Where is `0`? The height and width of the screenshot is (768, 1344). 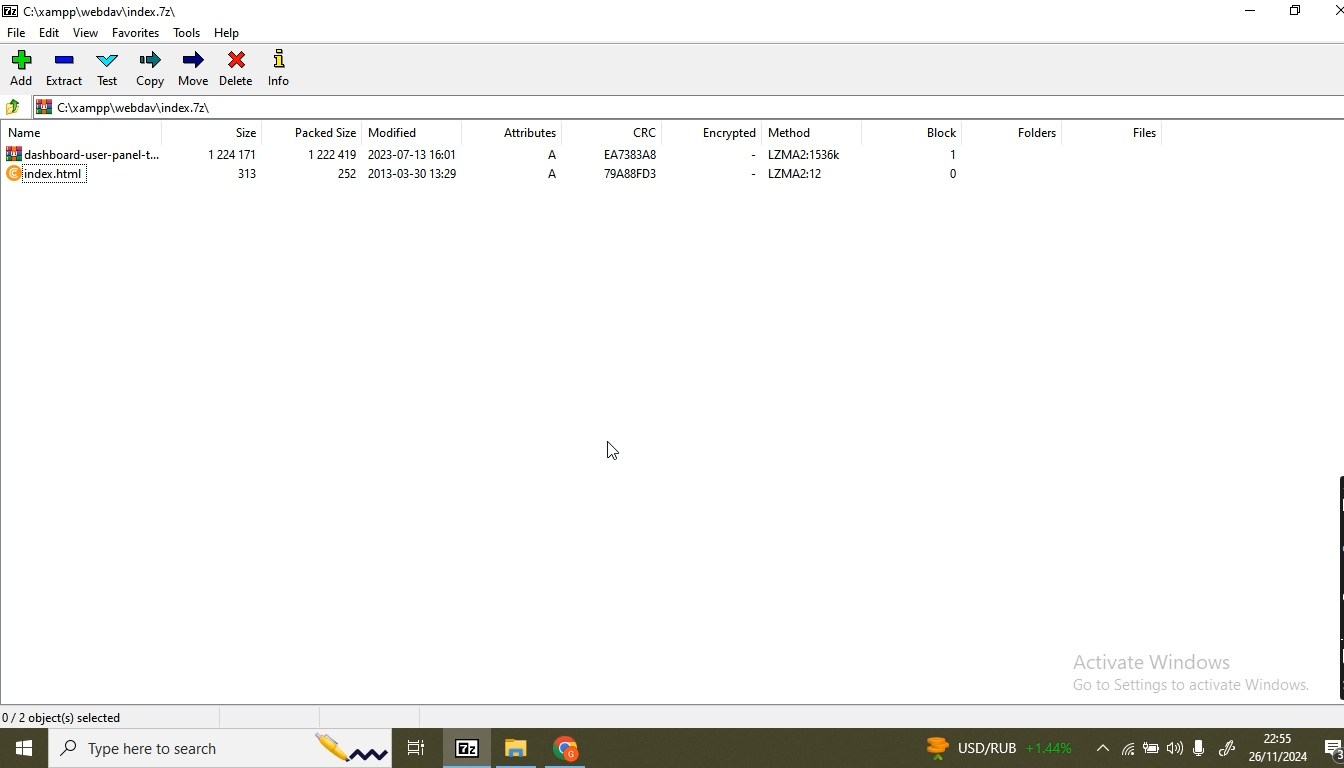 0 is located at coordinates (954, 177).